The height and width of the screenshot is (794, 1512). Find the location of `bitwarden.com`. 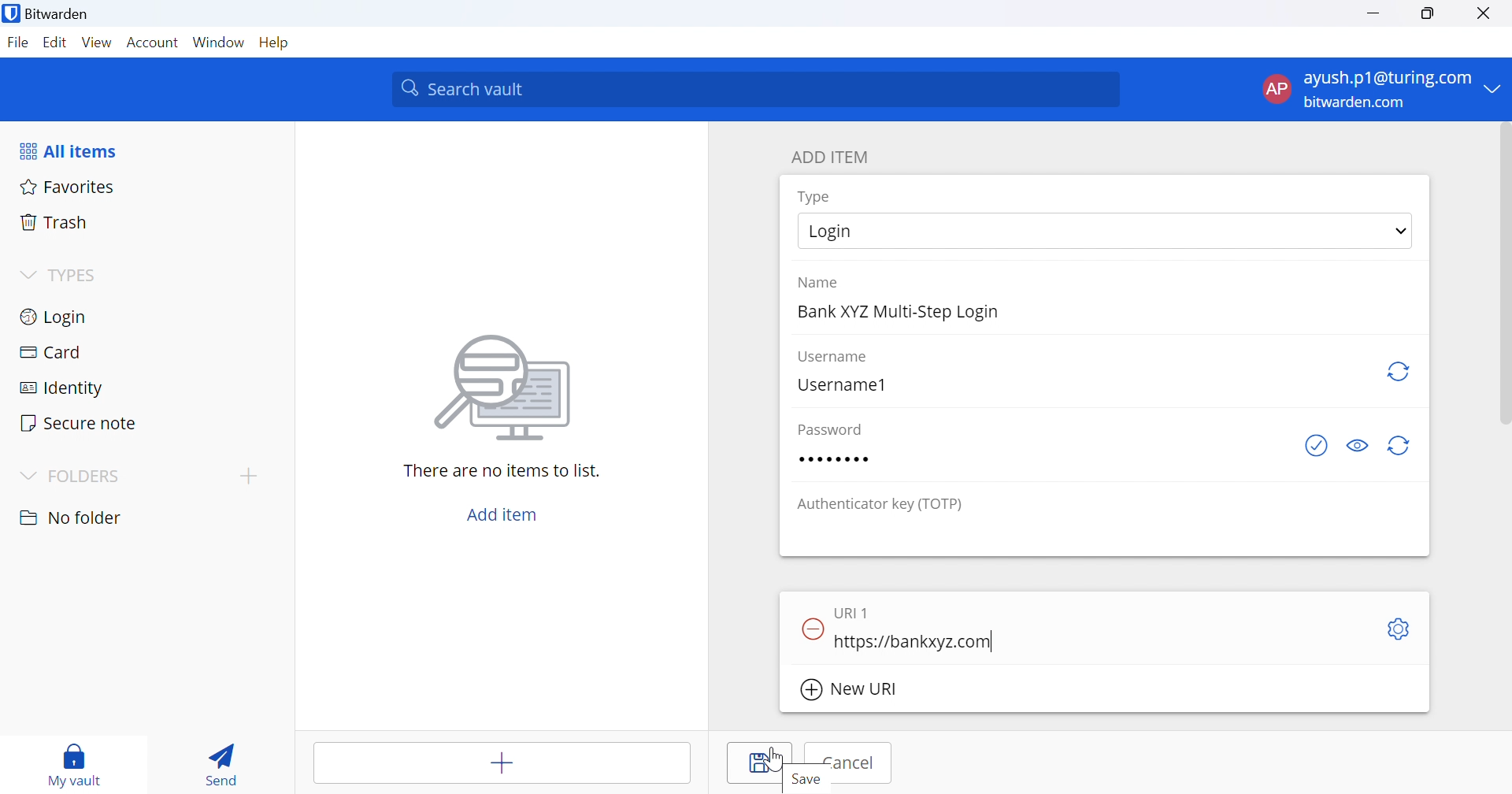

bitwarden.com is located at coordinates (1354, 102).